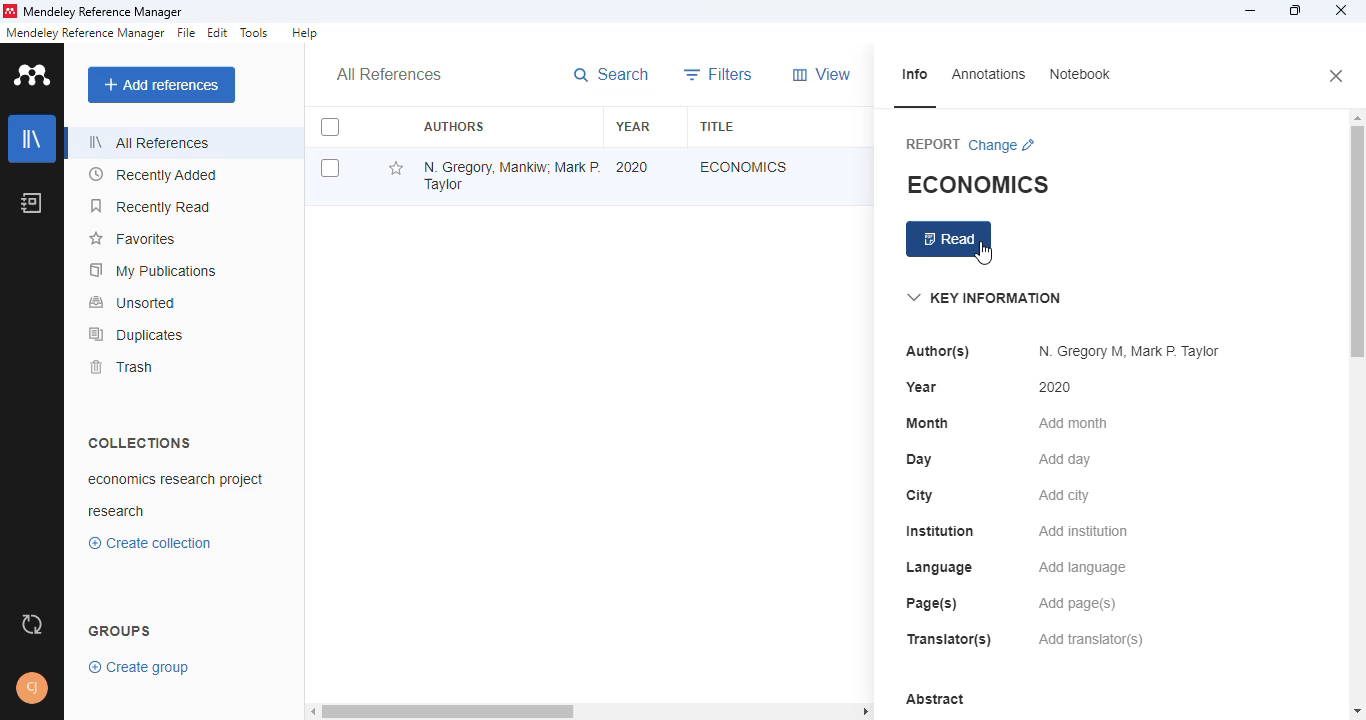  What do you see at coordinates (940, 568) in the screenshot?
I see `language` at bounding box center [940, 568].